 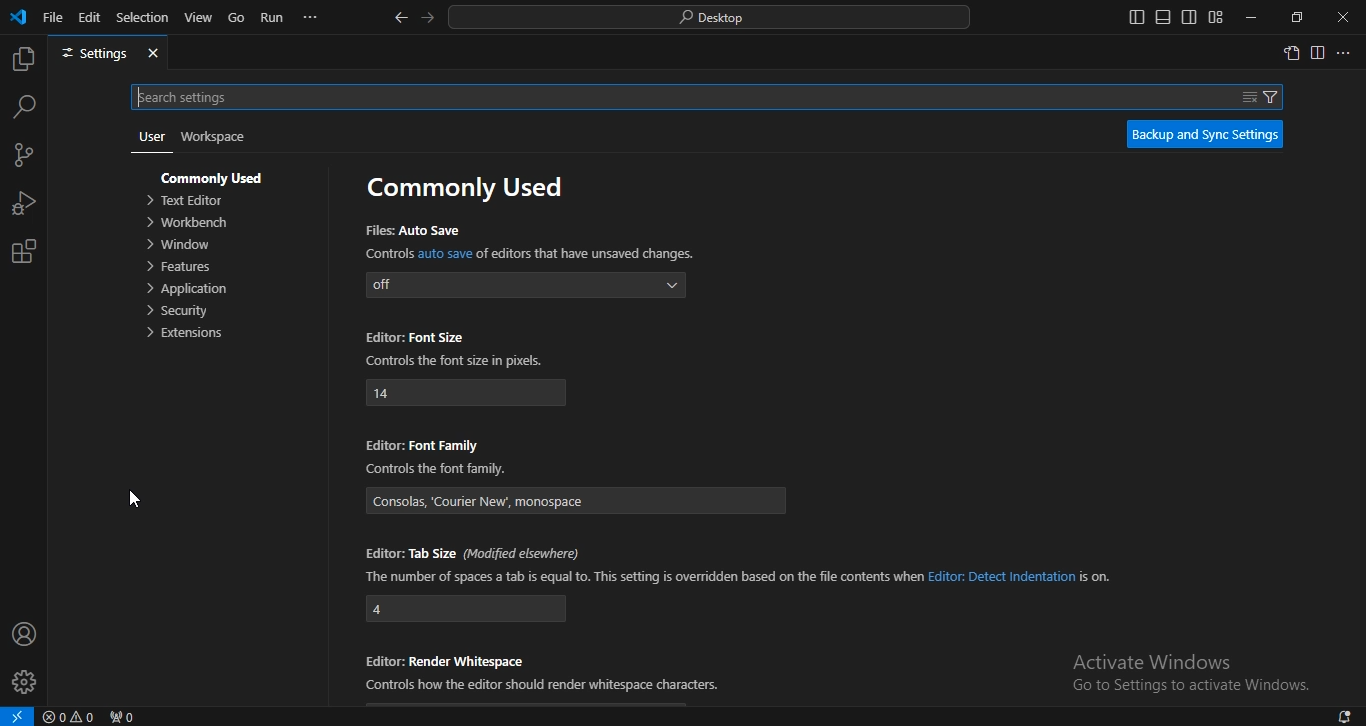 I want to click on commonly used, so click(x=215, y=179).